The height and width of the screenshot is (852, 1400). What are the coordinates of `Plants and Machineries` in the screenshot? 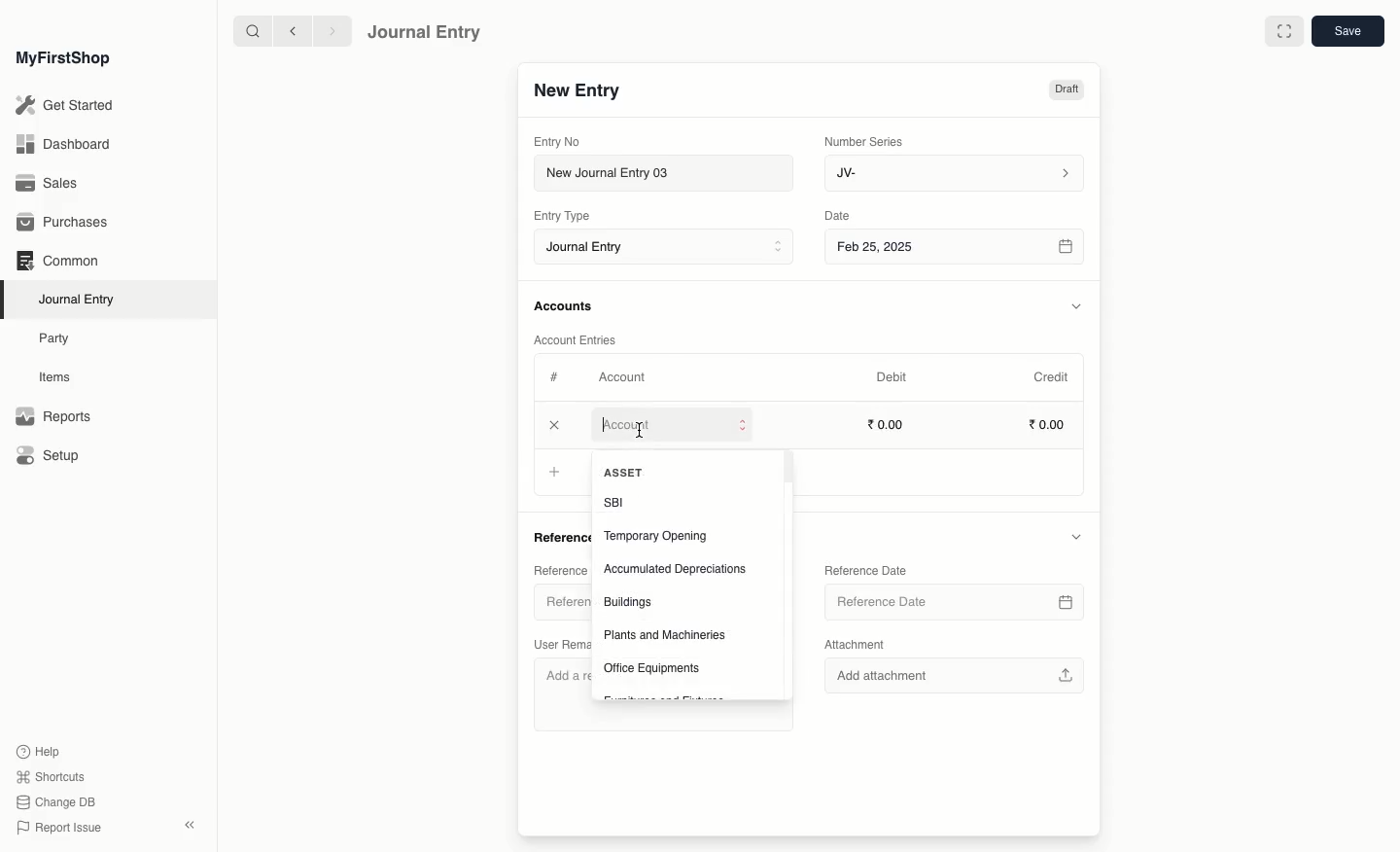 It's located at (665, 634).